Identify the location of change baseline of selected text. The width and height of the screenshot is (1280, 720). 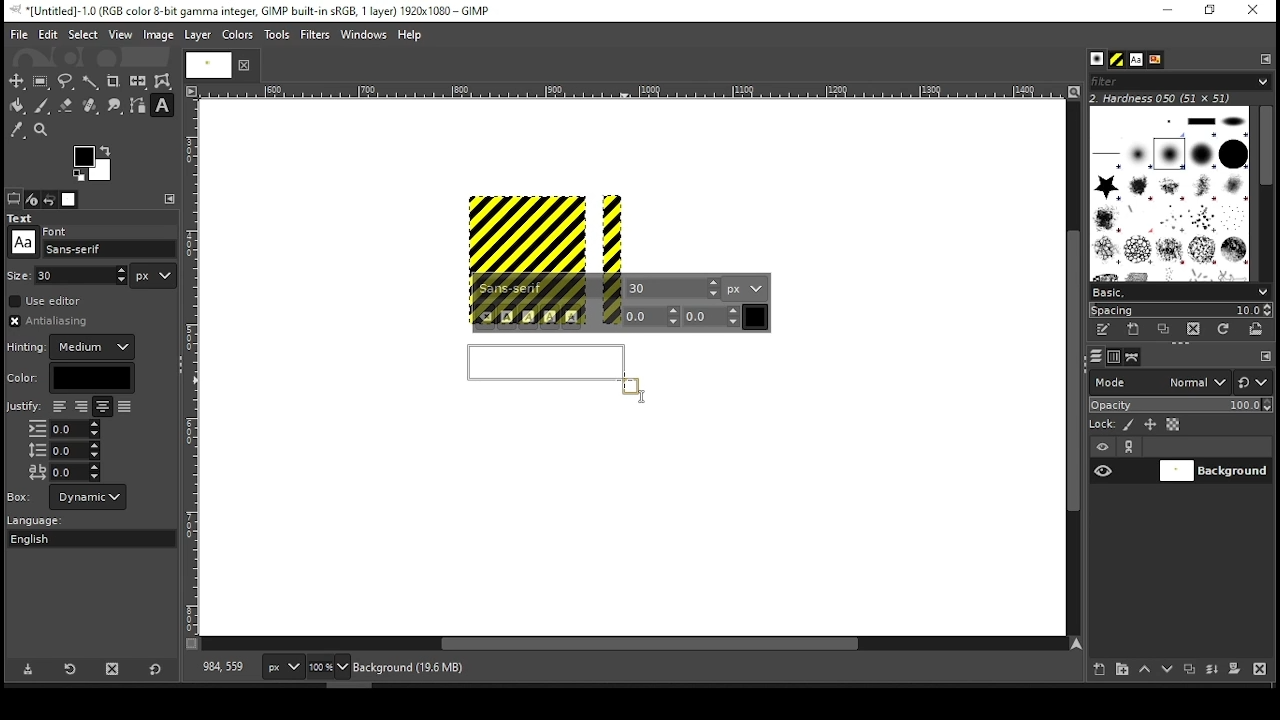
(652, 316).